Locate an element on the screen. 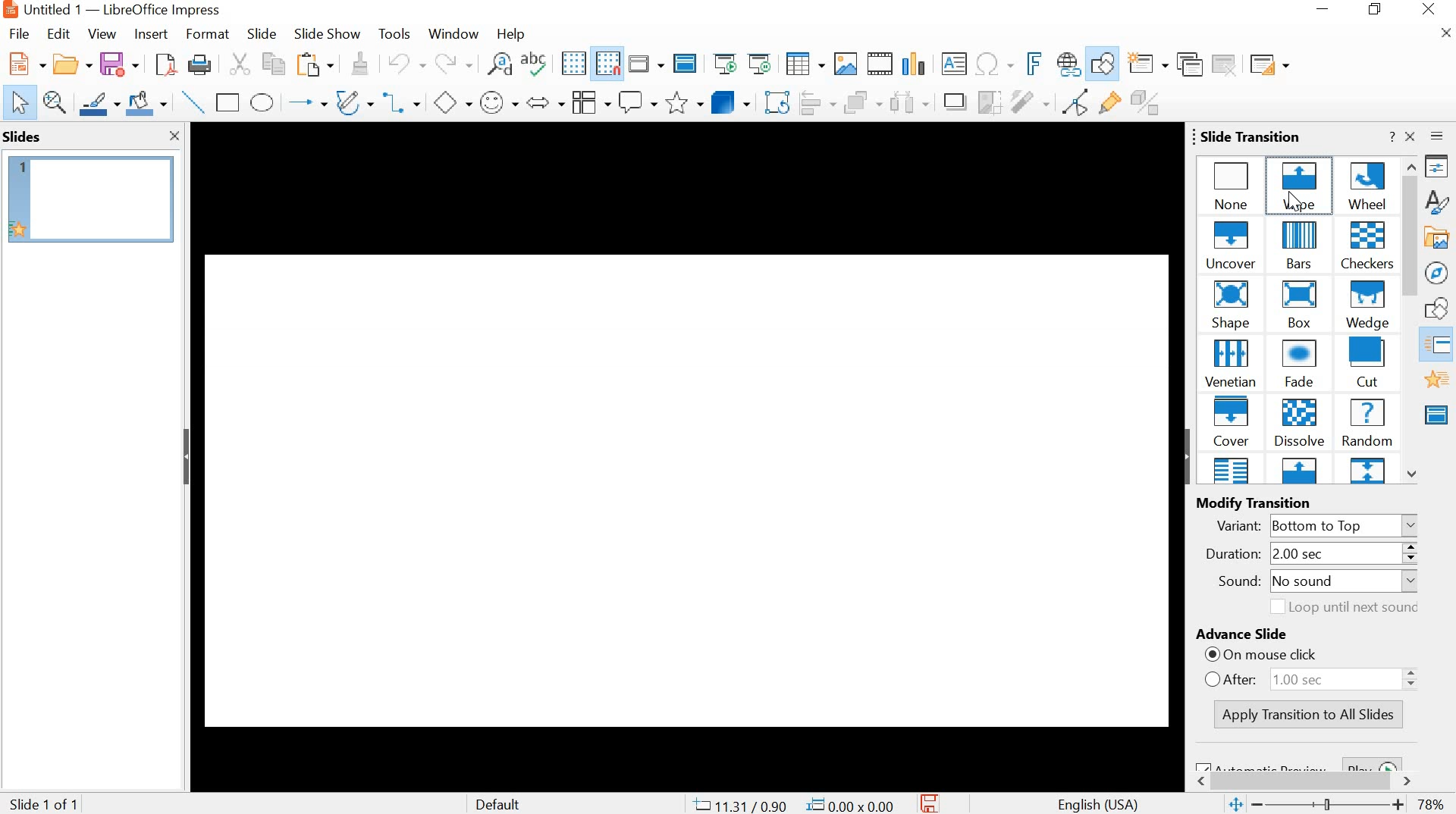 The width and height of the screenshot is (1456, 814). Line color is located at coordinates (99, 103).